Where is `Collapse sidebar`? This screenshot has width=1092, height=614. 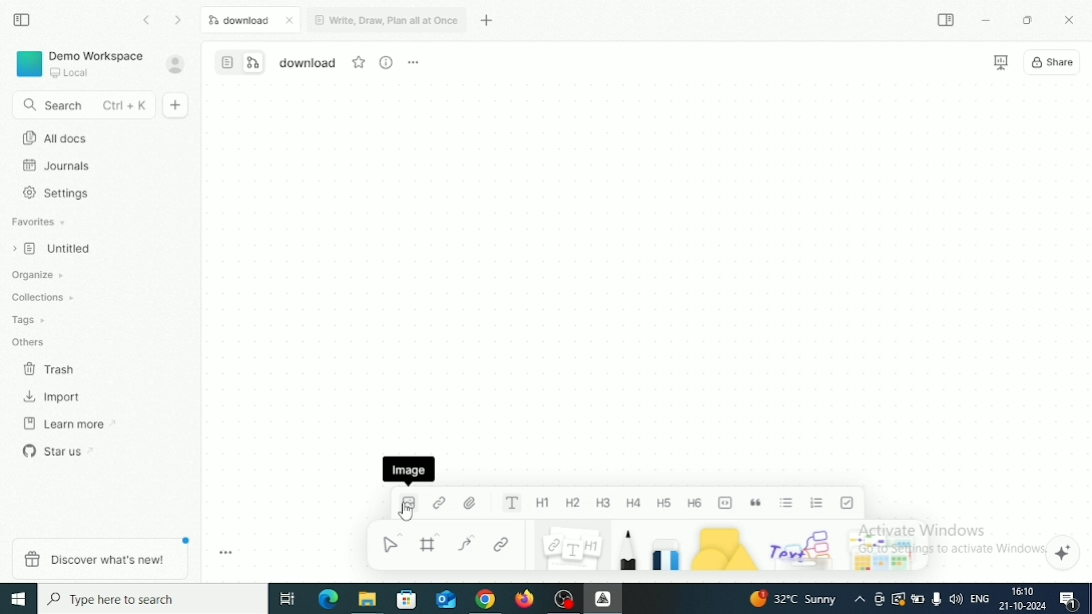 Collapse sidebar is located at coordinates (23, 20).